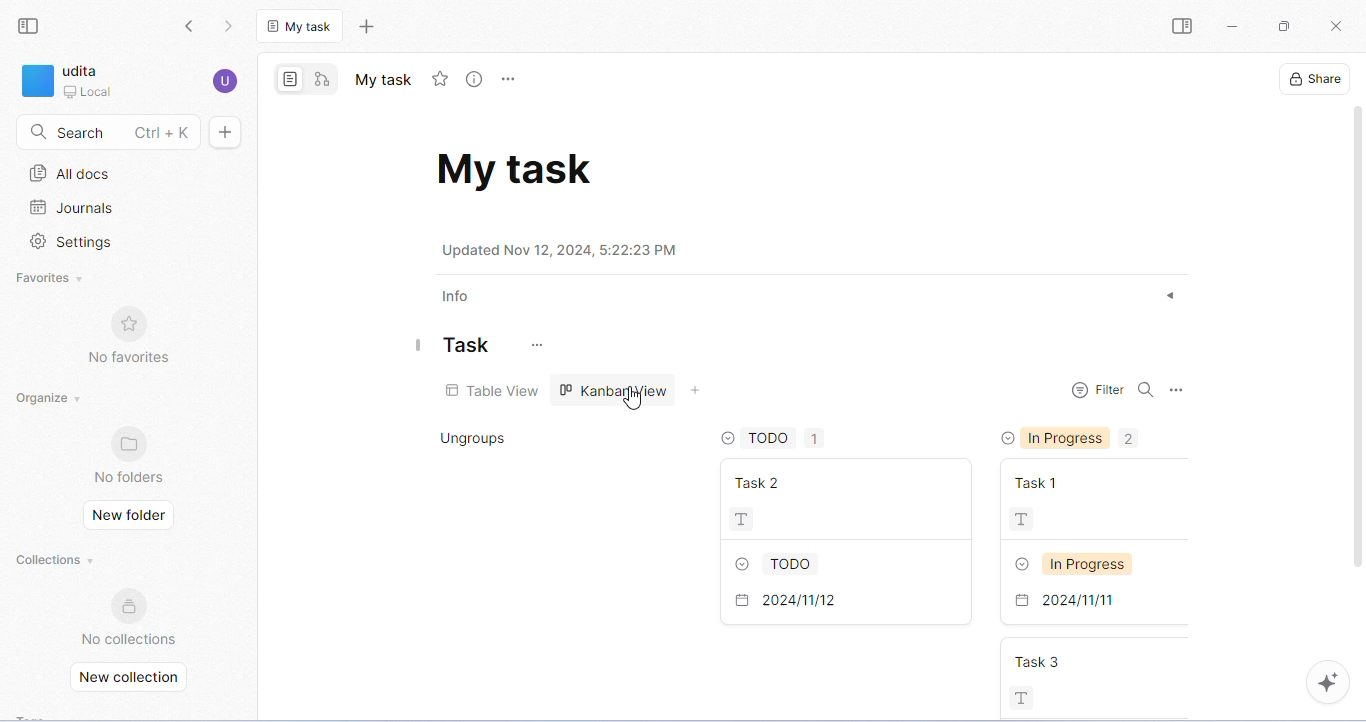  I want to click on share, so click(1313, 78).